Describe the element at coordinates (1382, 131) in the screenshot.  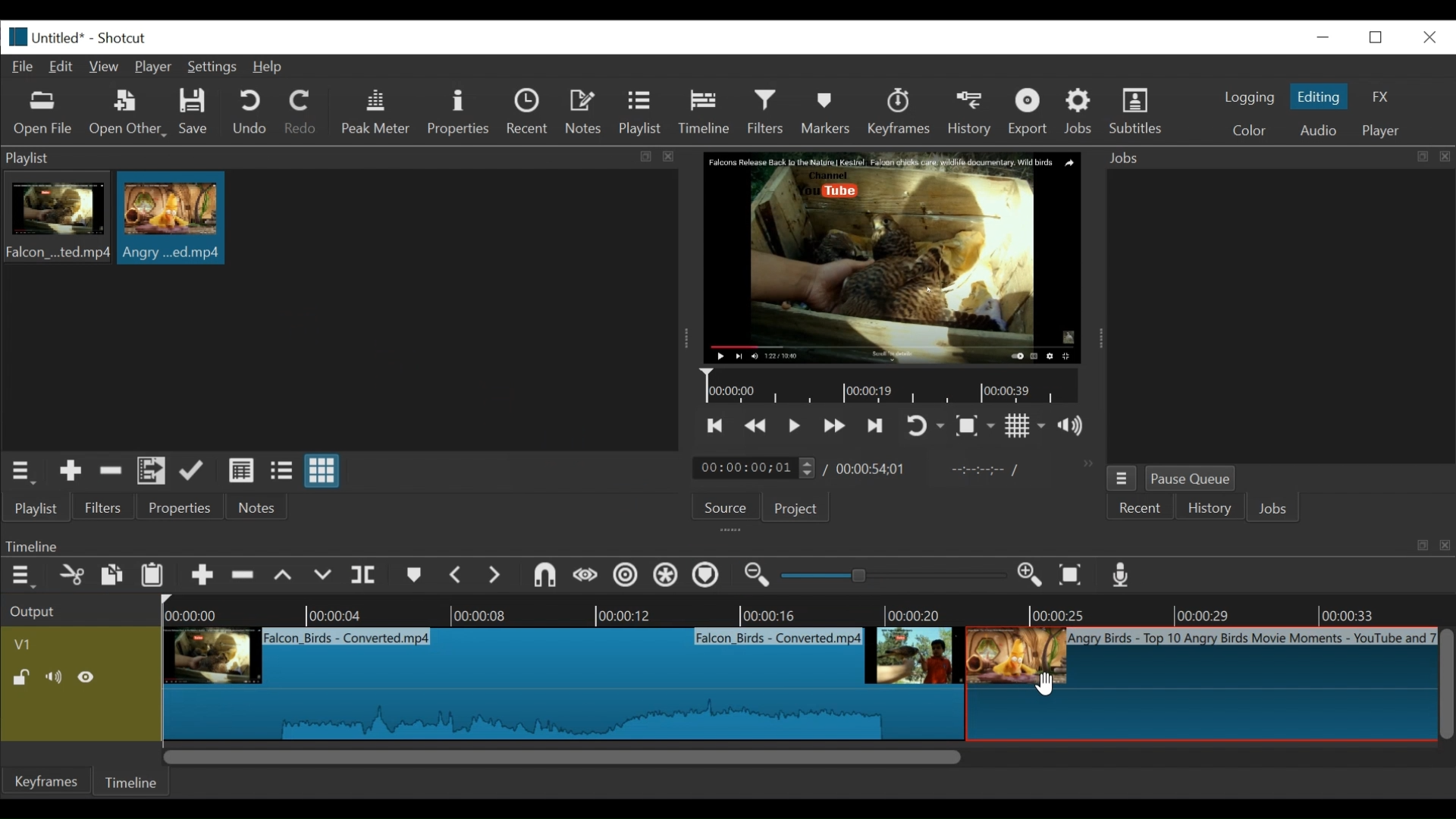
I see `player` at that location.